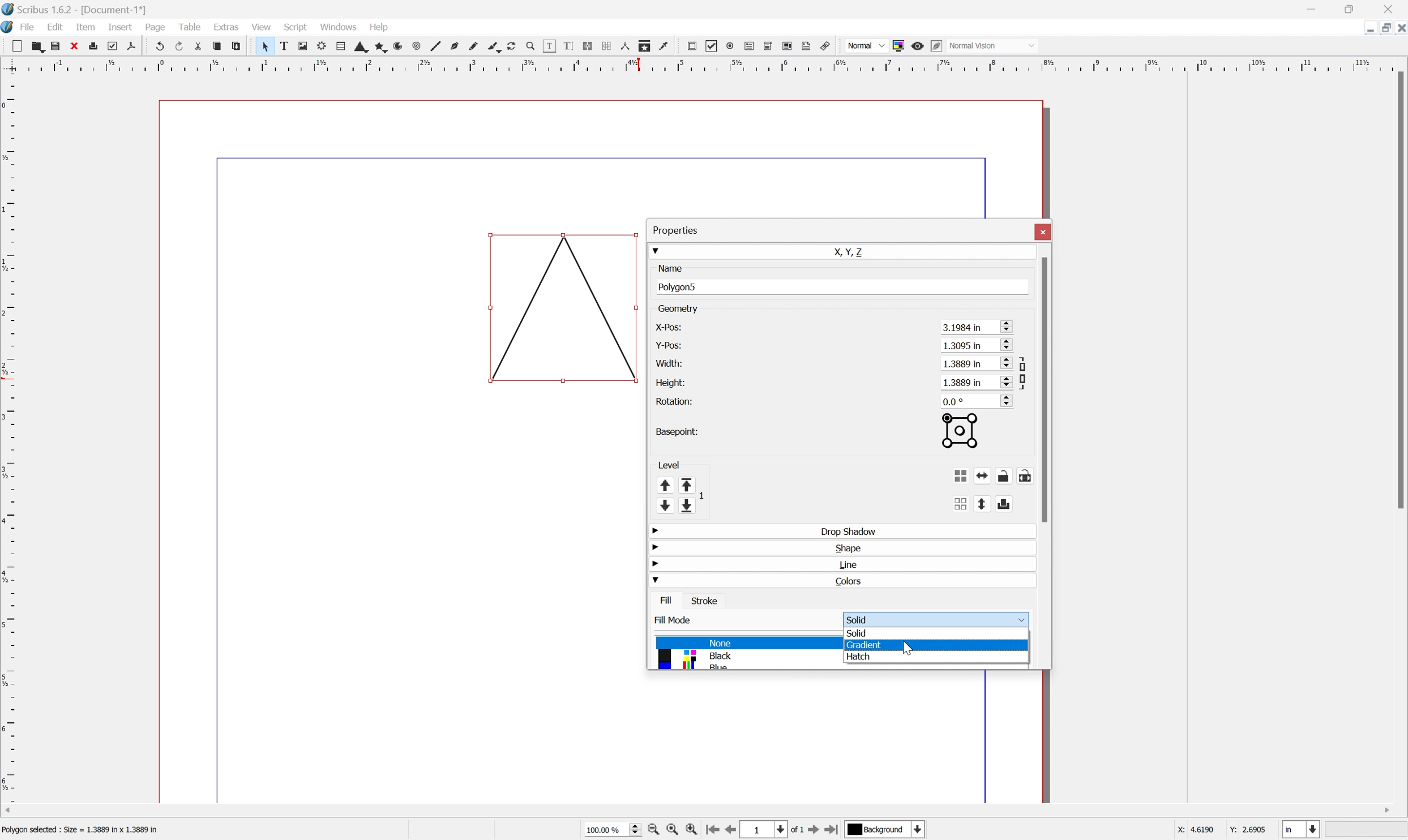 This screenshot has width=1408, height=840. Describe the element at coordinates (729, 46) in the screenshot. I see `PDF radio button` at that location.